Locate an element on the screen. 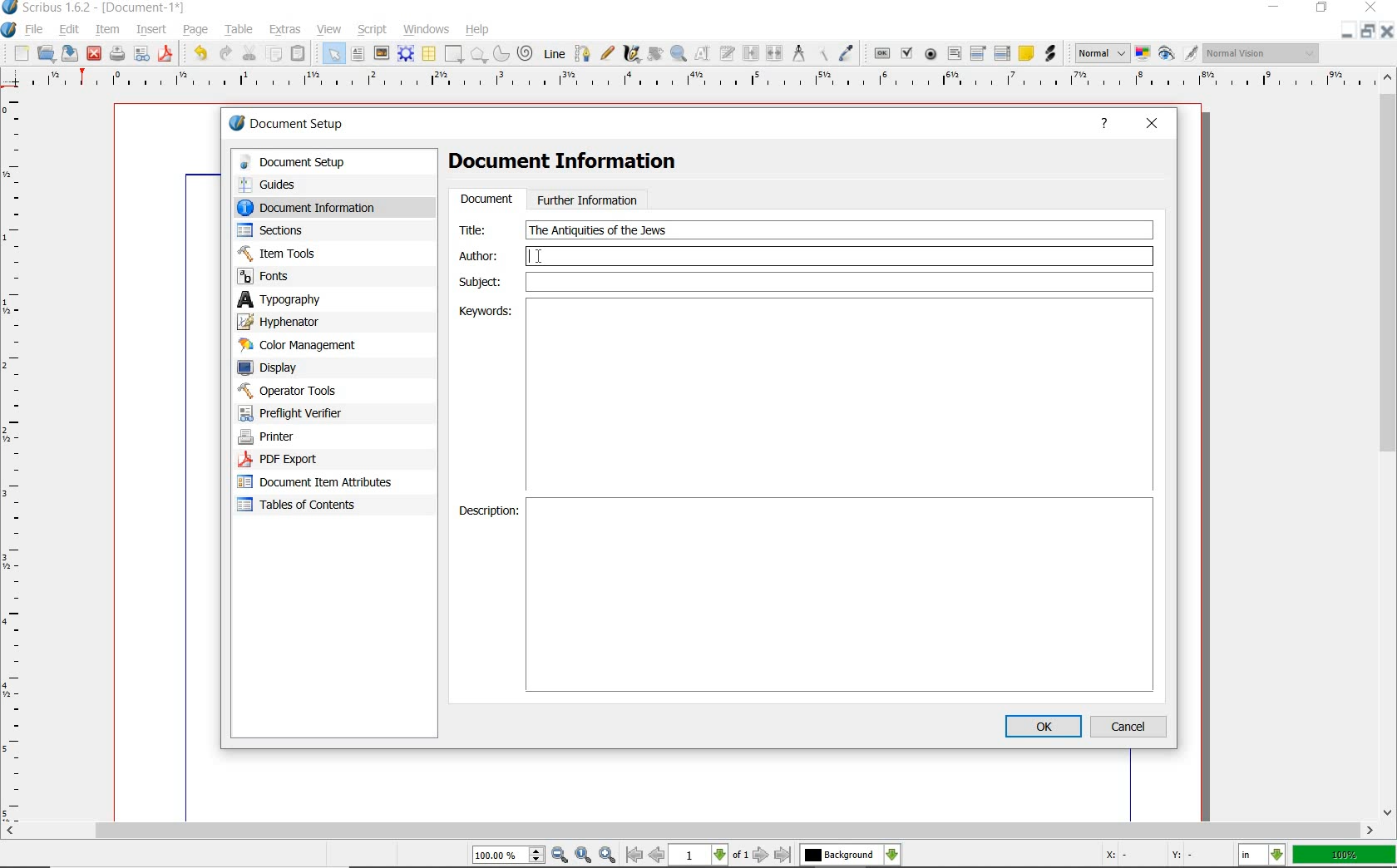 The width and height of the screenshot is (1397, 868). document setup is located at coordinates (320, 162).